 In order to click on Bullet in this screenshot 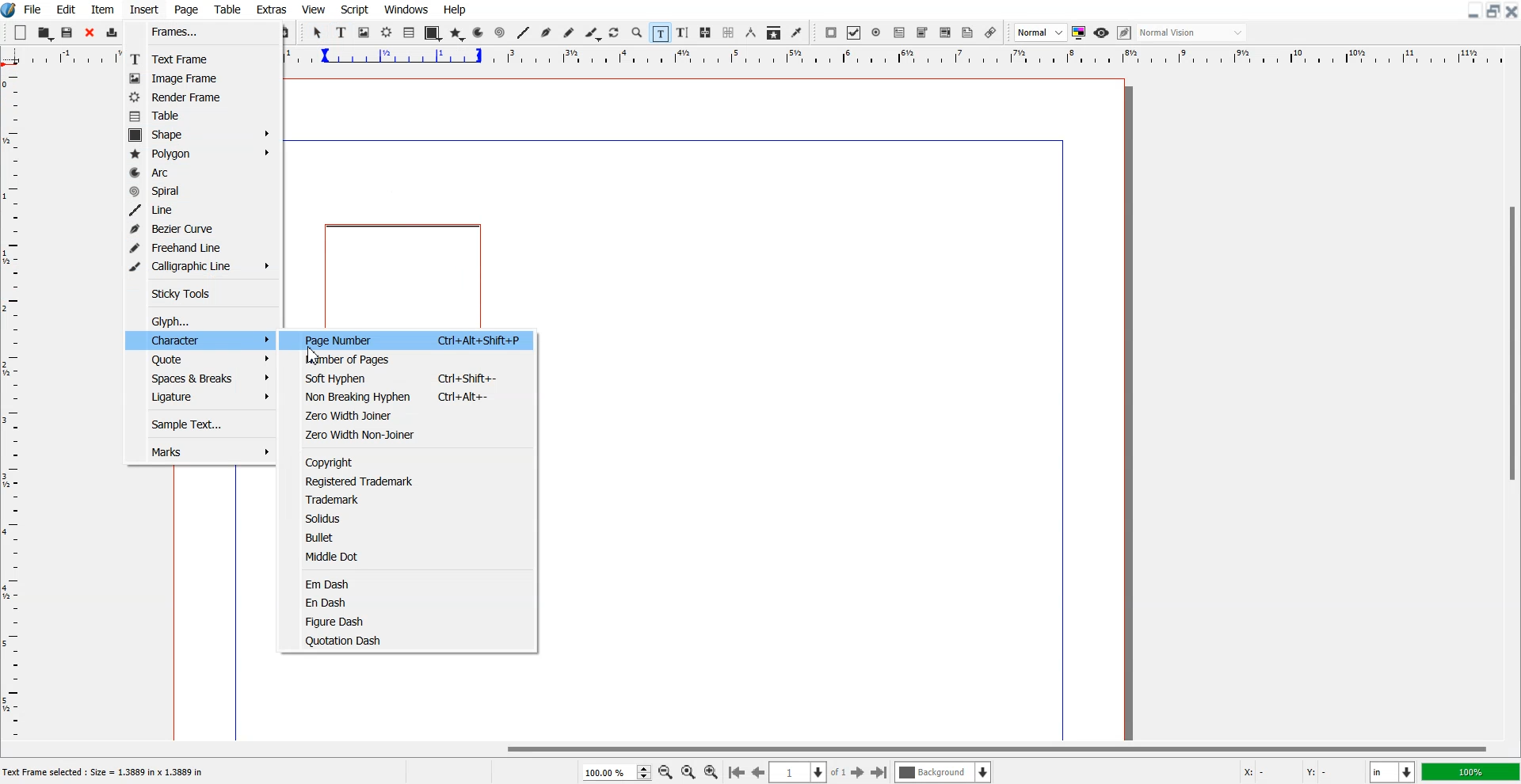, I will do `click(413, 537)`.